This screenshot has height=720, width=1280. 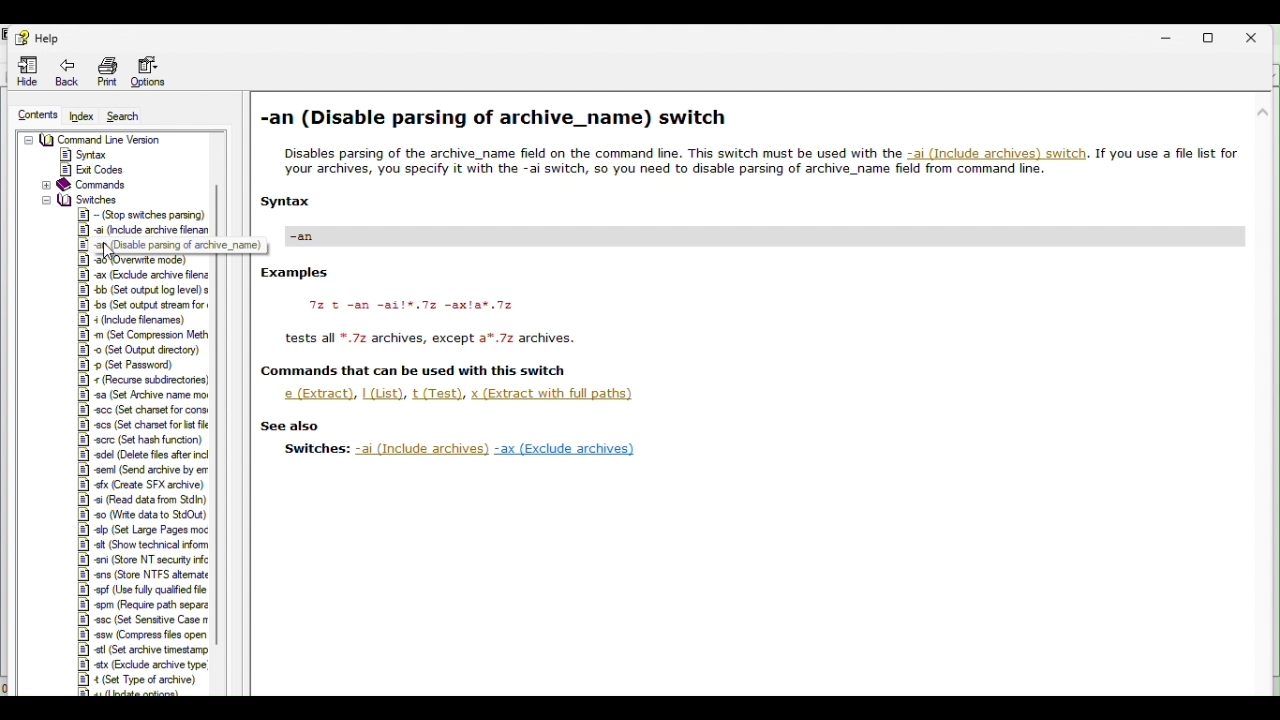 I want to click on 5] + (Recurse subdirectories], so click(x=142, y=382).